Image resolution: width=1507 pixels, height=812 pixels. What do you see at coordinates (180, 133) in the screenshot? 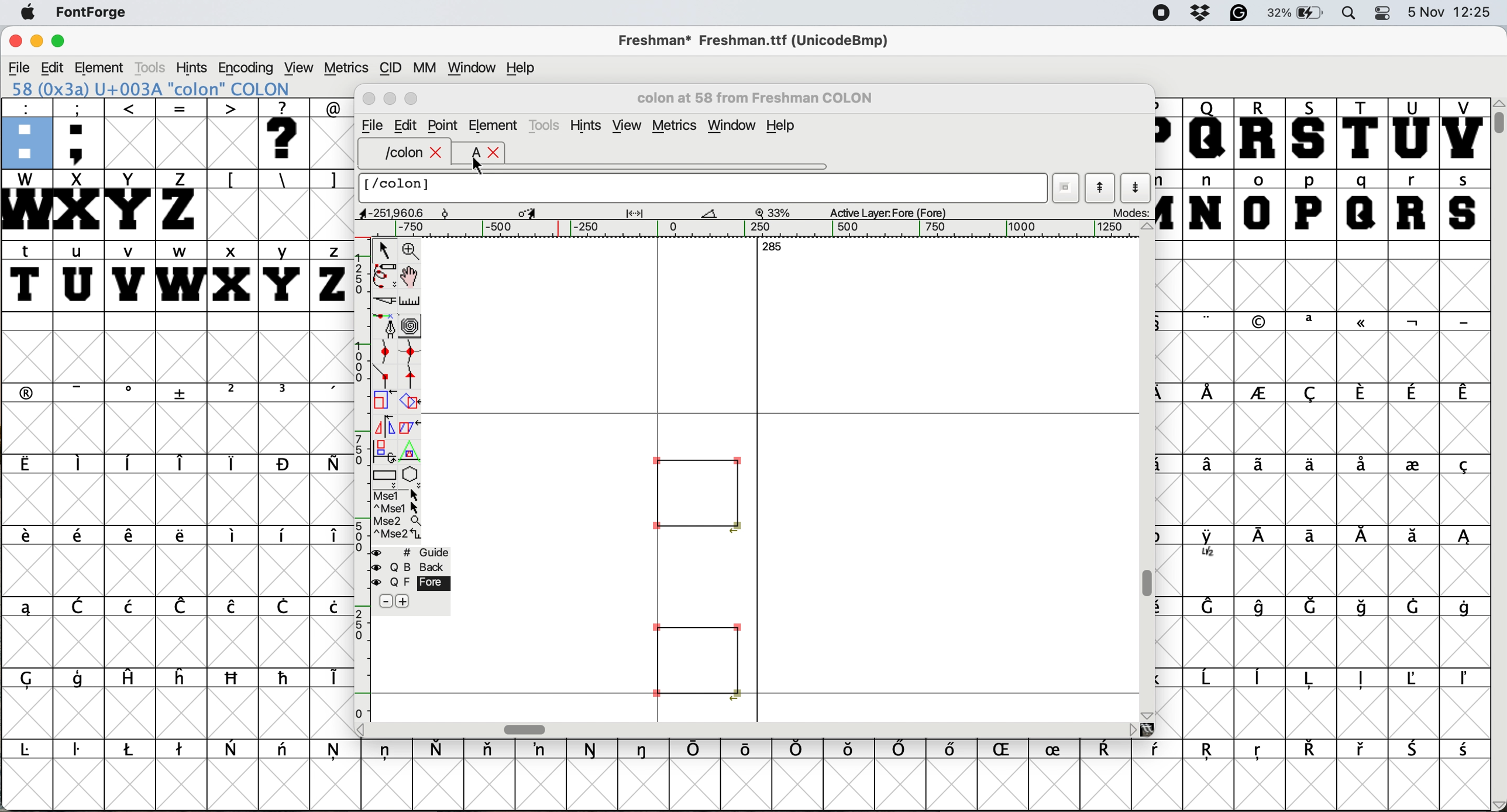
I see `=` at bounding box center [180, 133].